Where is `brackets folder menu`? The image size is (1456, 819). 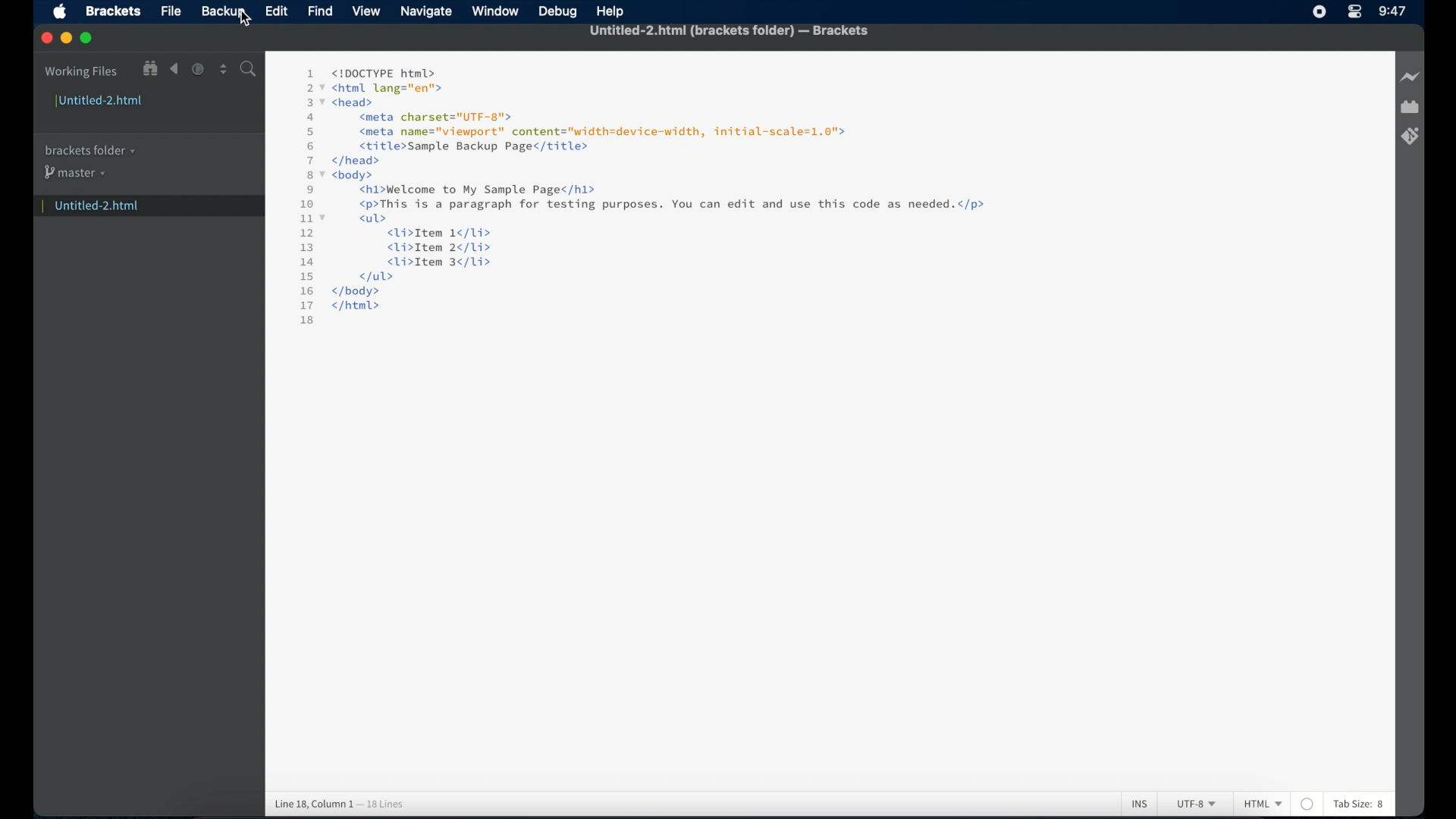 brackets folder menu is located at coordinates (89, 151).